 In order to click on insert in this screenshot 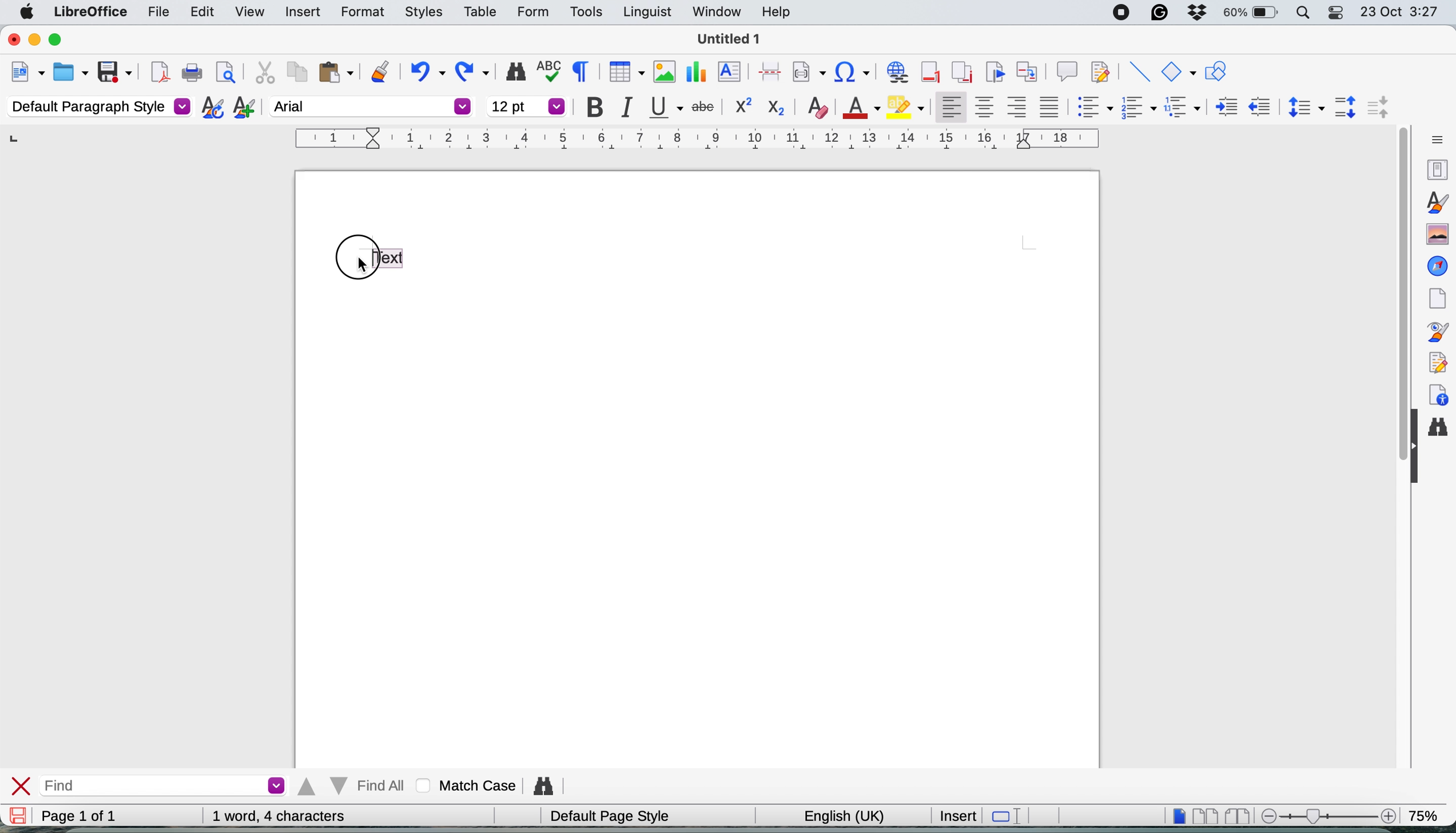, I will do `click(957, 815)`.